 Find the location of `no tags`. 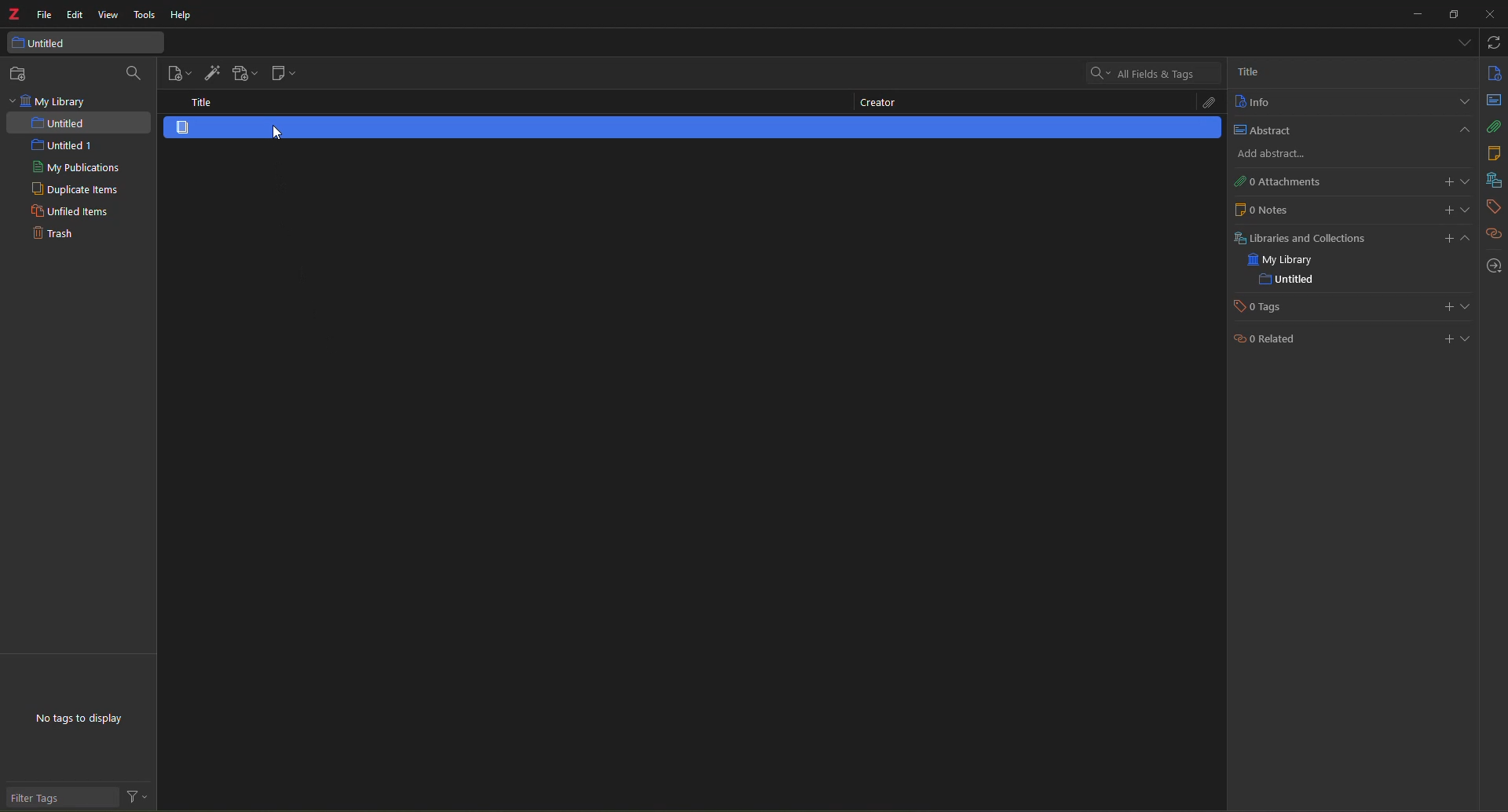

no tags is located at coordinates (91, 722).